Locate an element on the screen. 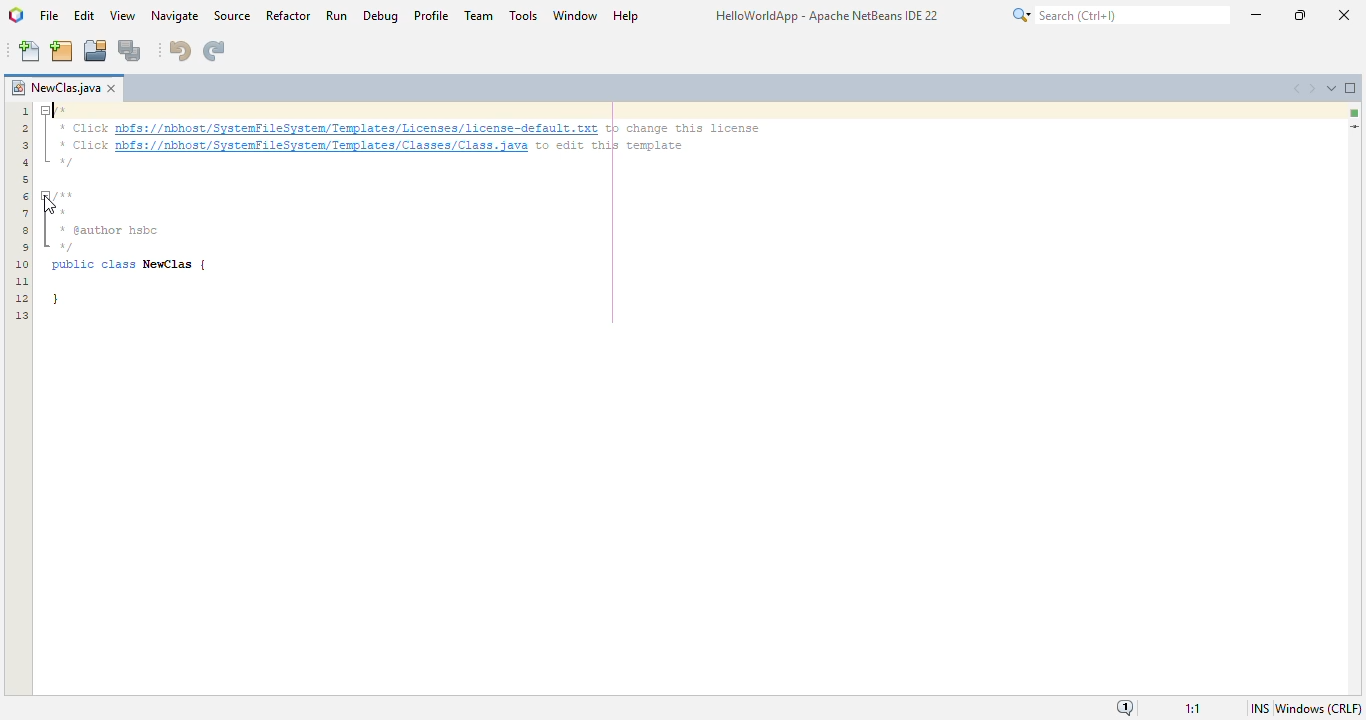  search is located at coordinates (1118, 15).